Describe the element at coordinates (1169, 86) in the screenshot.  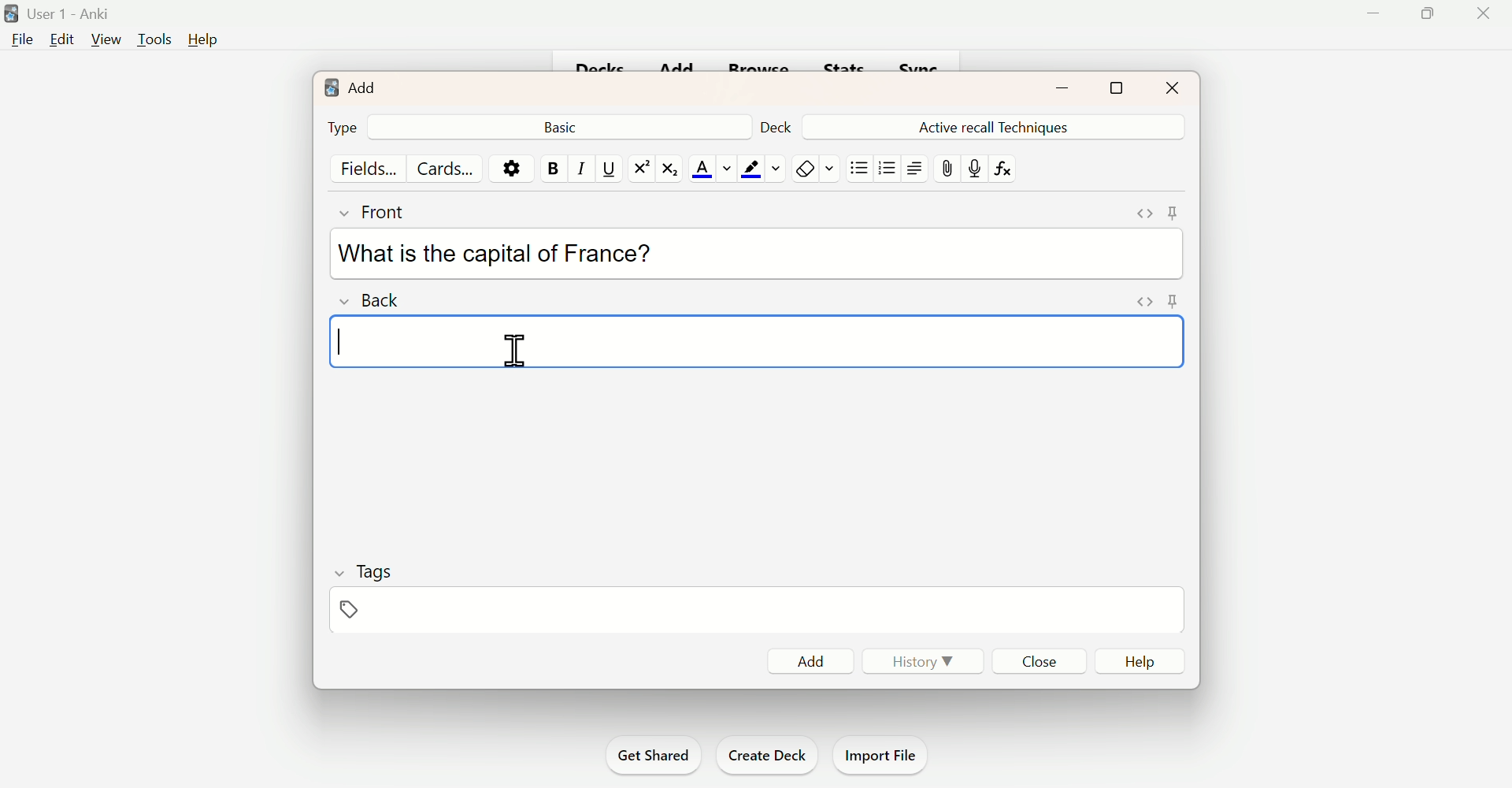
I see `Close` at that location.